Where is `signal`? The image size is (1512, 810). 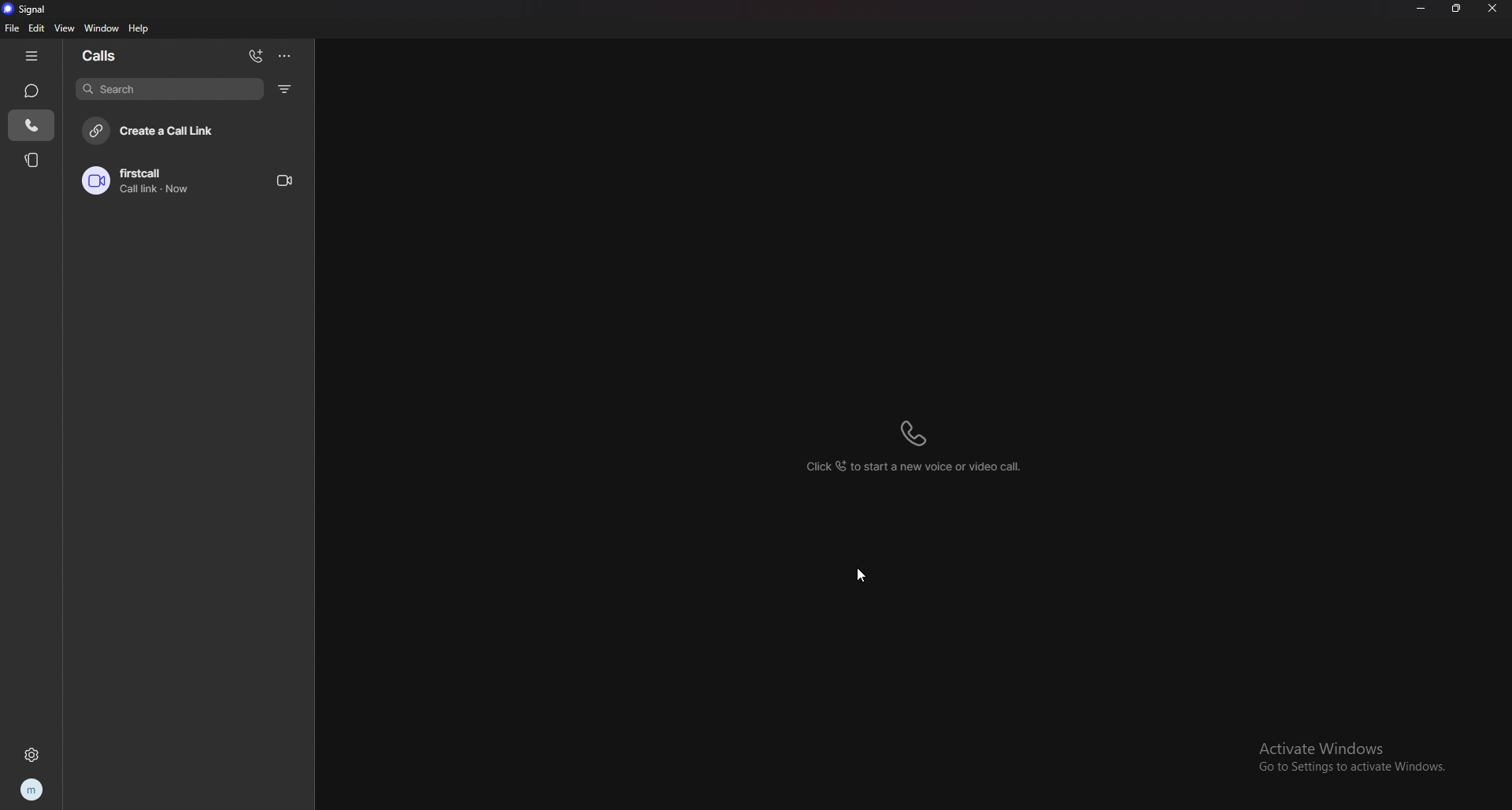
signal is located at coordinates (30, 9).